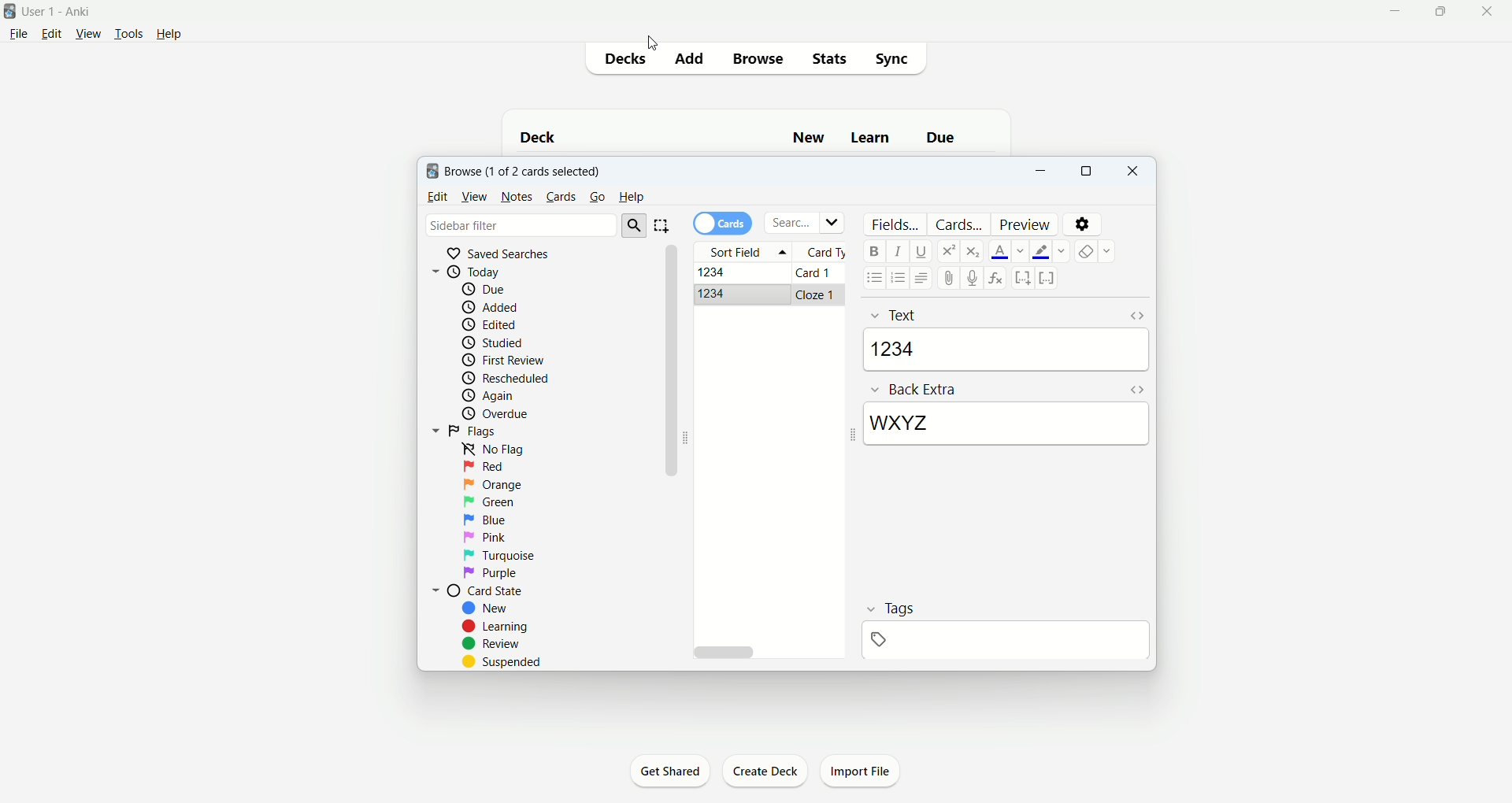 This screenshot has height=803, width=1512. Describe the element at coordinates (1396, 10) in the screenshot. I see `minimize` at that location.